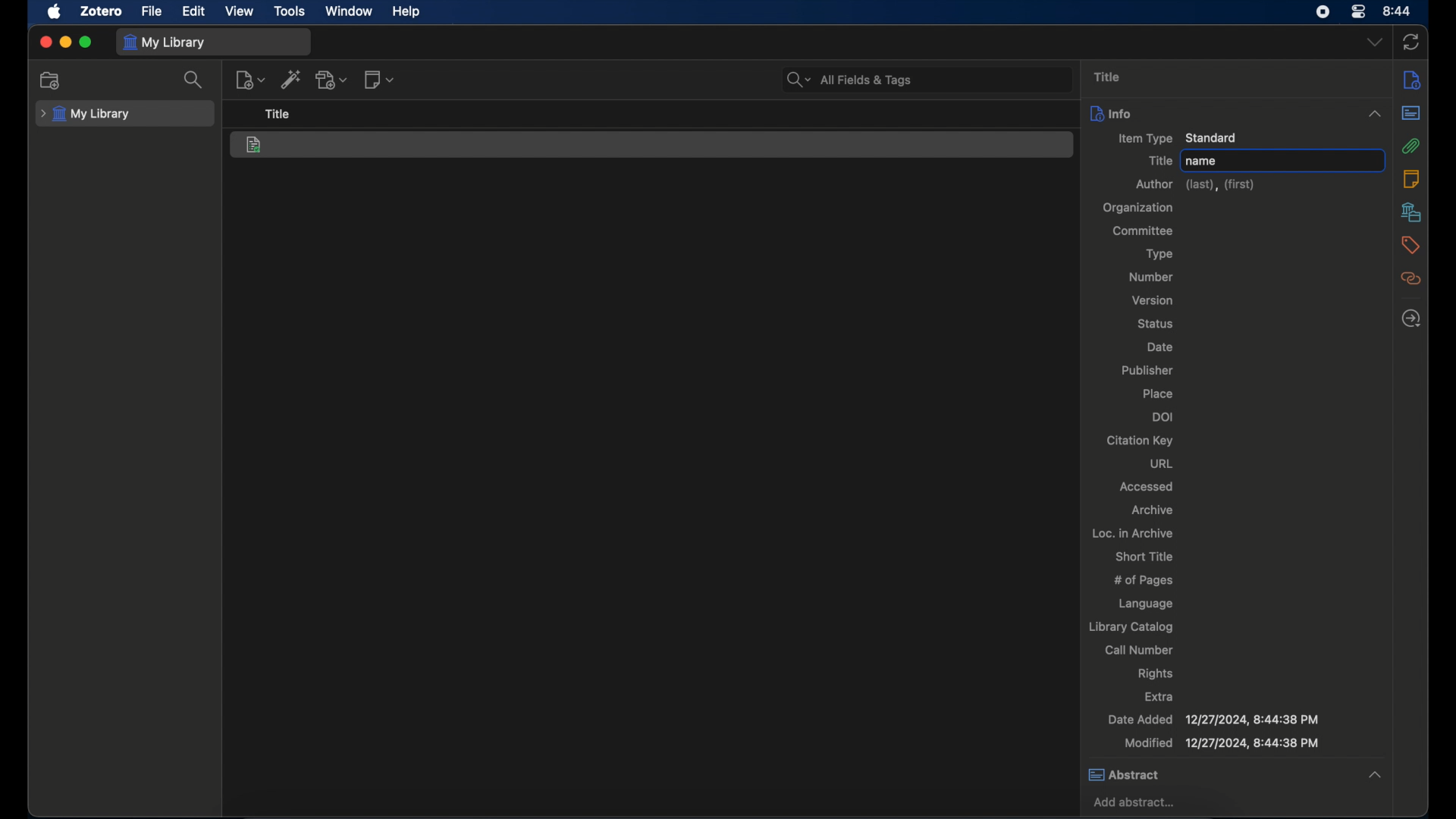 This screenshot has width=1456, height=819. What do you see at coordinates (45, 42) in the screenshot?
I see `close` at bounding box center [45, 42].